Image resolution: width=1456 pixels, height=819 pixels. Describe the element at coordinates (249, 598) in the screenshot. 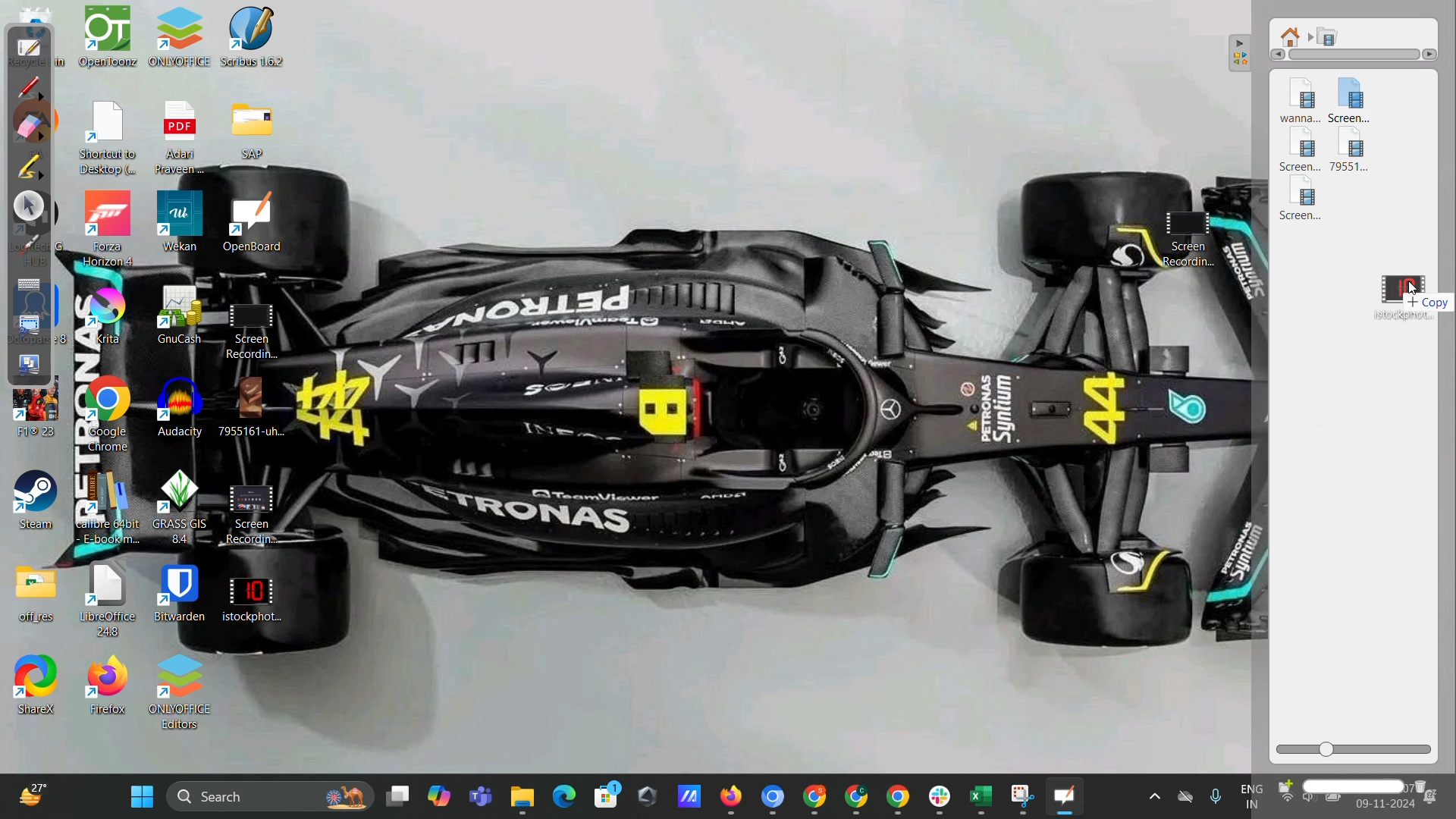

I see `istockphoto` at that location.